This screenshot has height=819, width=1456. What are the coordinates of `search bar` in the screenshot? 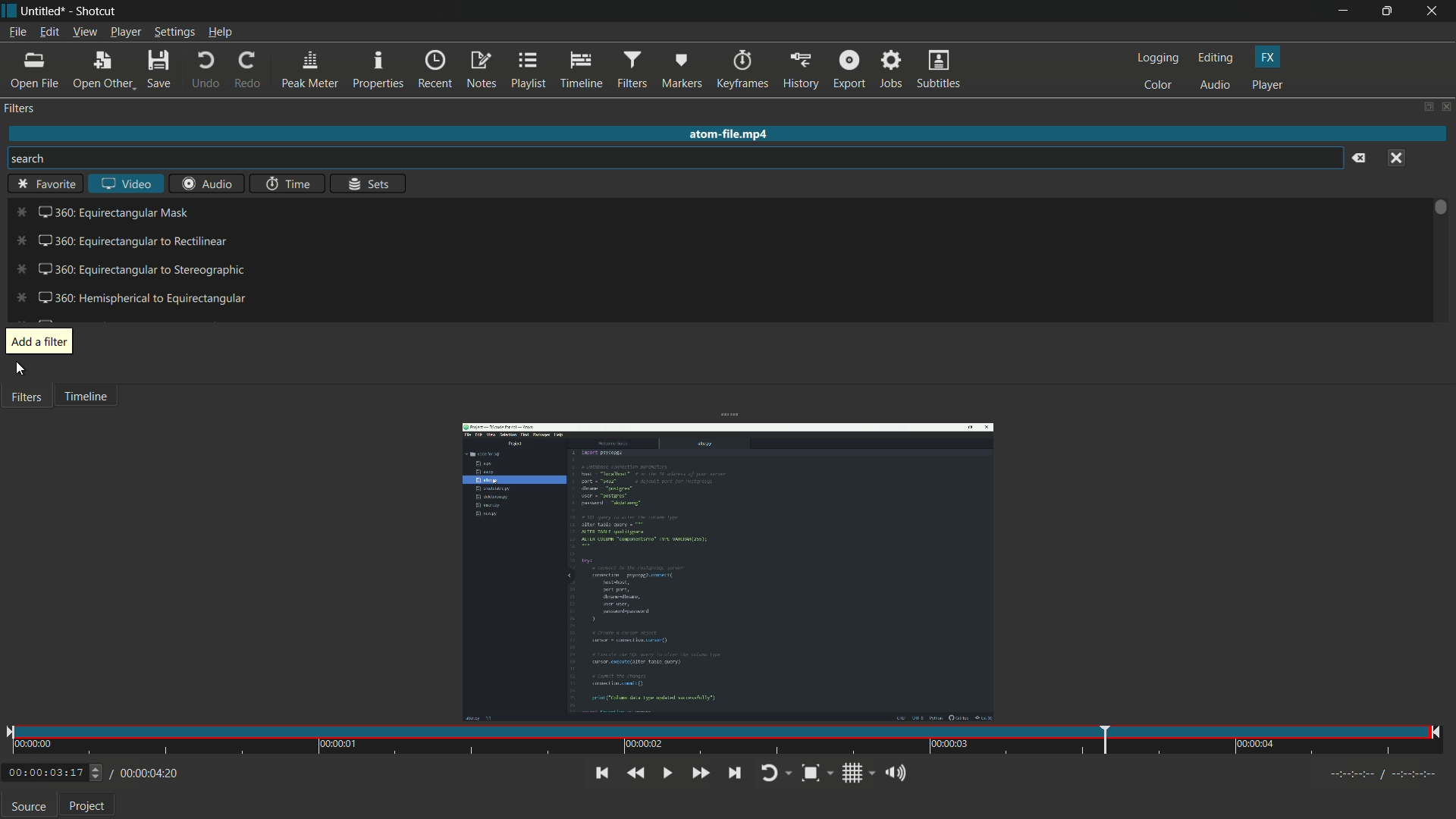 It's located at (676, 158).